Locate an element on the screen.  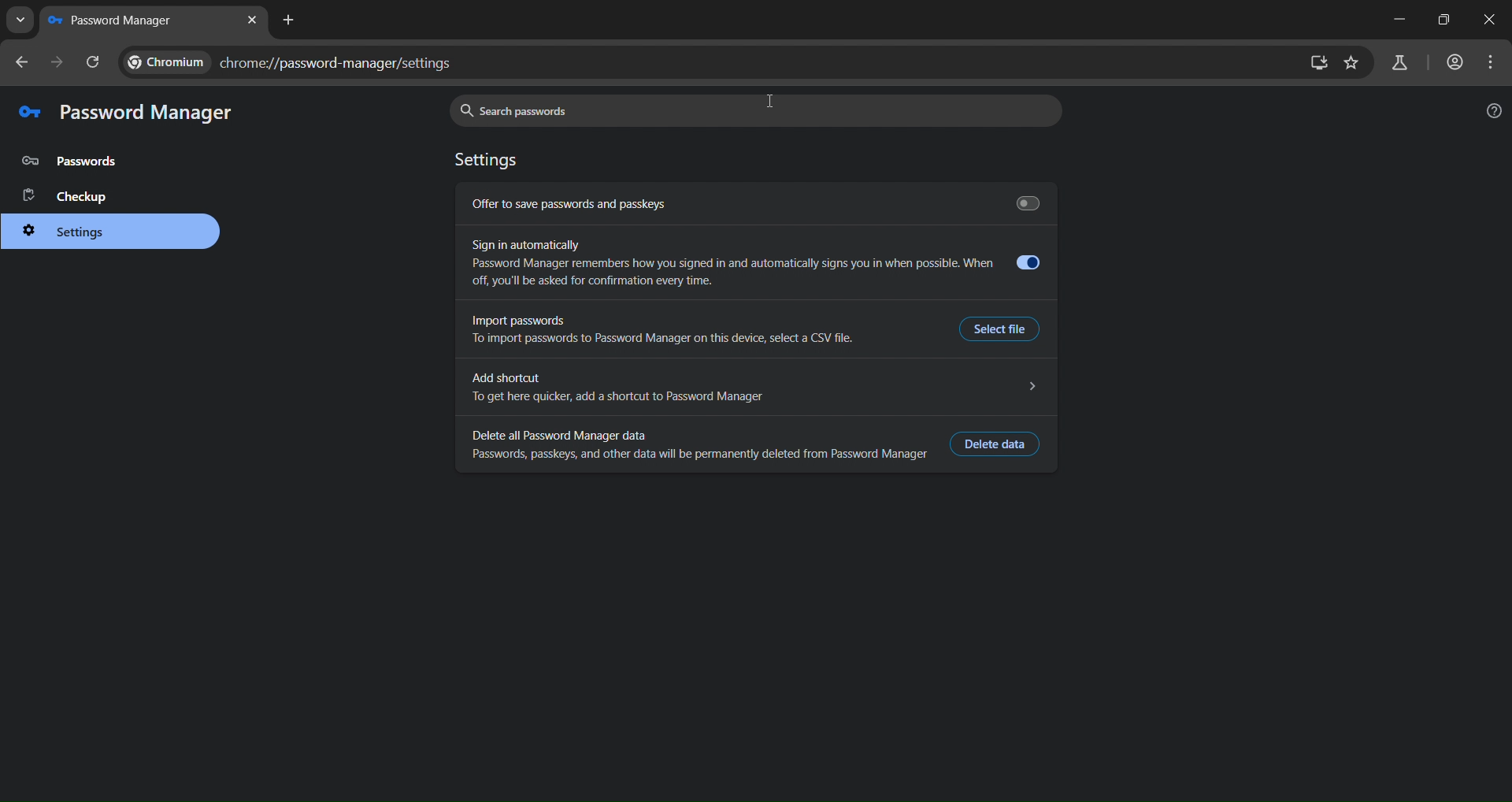
sign in automatically Password manager sometimes remembers how you signed in and automatically signs you in when possible is located at coordinates (757, 262).